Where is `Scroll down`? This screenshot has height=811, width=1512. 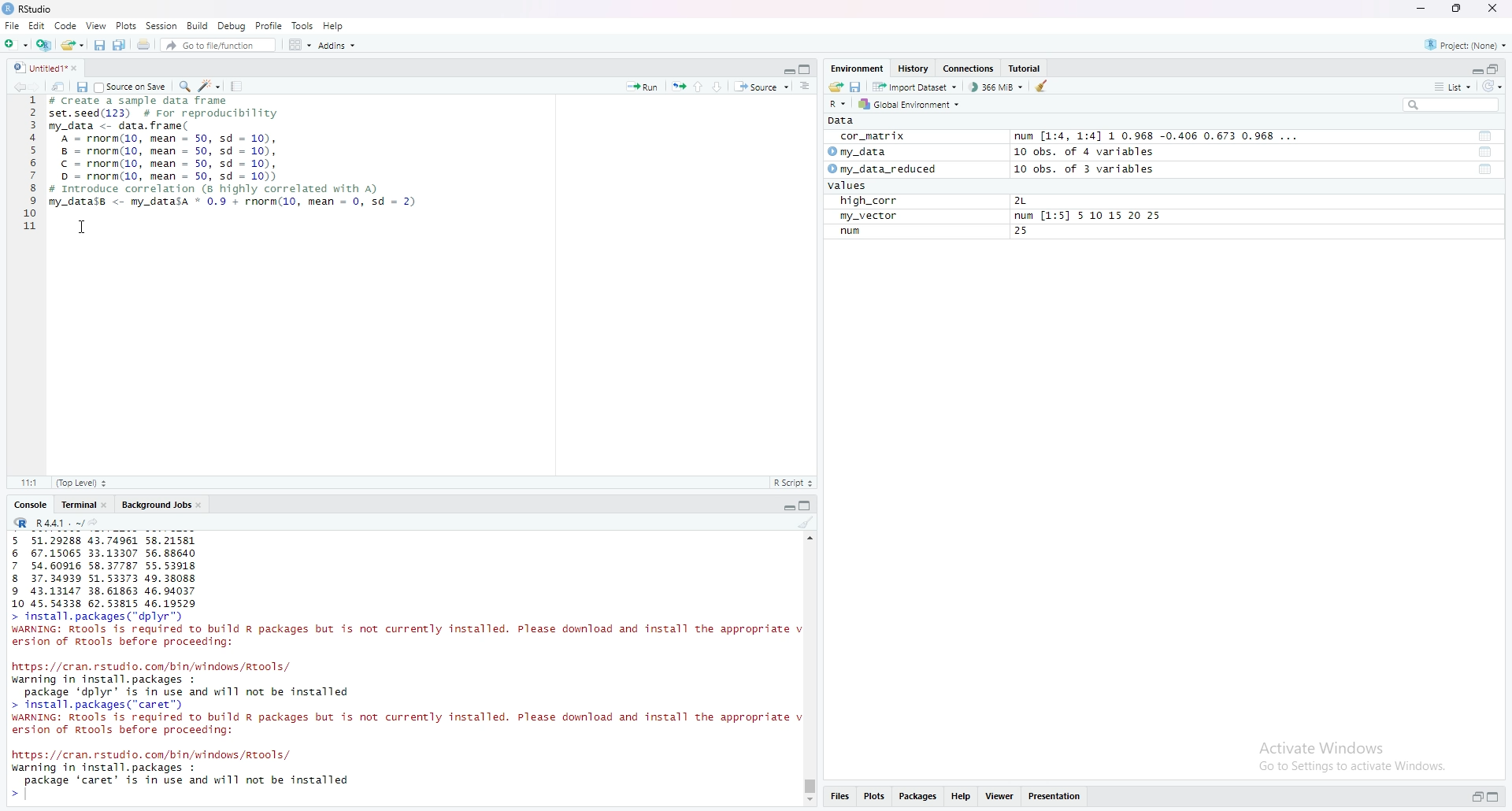
Scroll down is located at coordinates (812, 802).